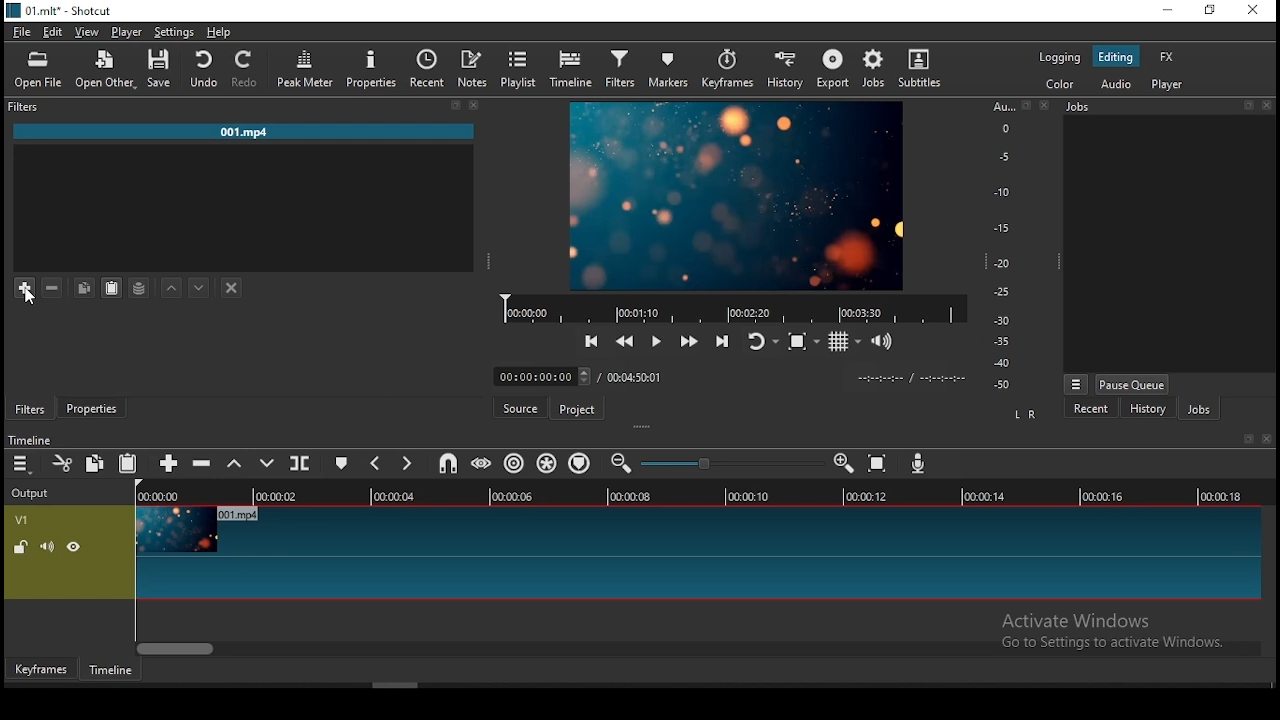 The height and width of the screenshot is (720, 1280). Describe the element at coordinates (578, 464) in the screenshot. I see `ripple markers` at that location.